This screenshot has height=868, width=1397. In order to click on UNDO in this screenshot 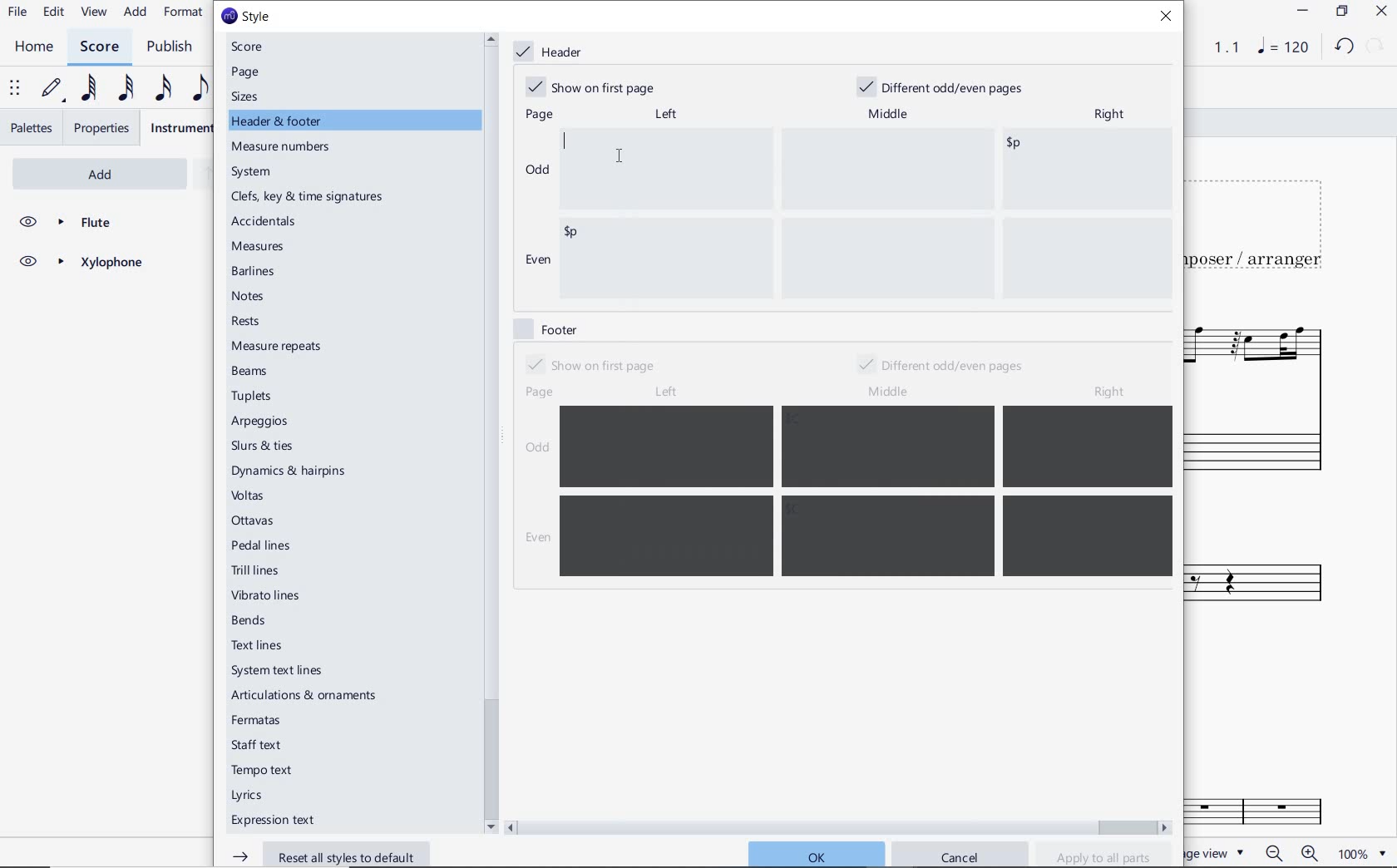, I will do `click(1343, 47)`.